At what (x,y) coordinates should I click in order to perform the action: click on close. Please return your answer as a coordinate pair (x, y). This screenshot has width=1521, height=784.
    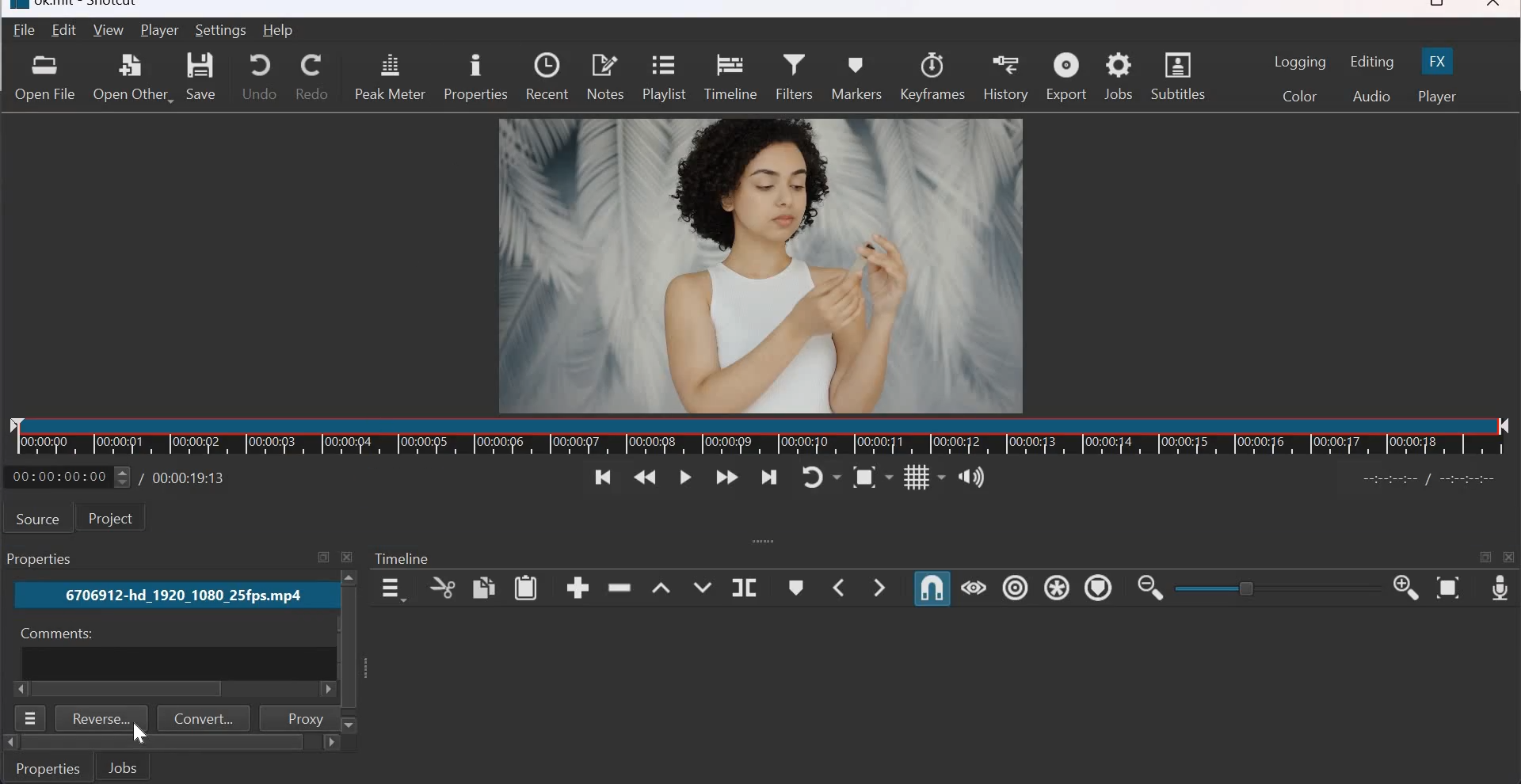
    Looking at the image, I should click on (1510, 558).